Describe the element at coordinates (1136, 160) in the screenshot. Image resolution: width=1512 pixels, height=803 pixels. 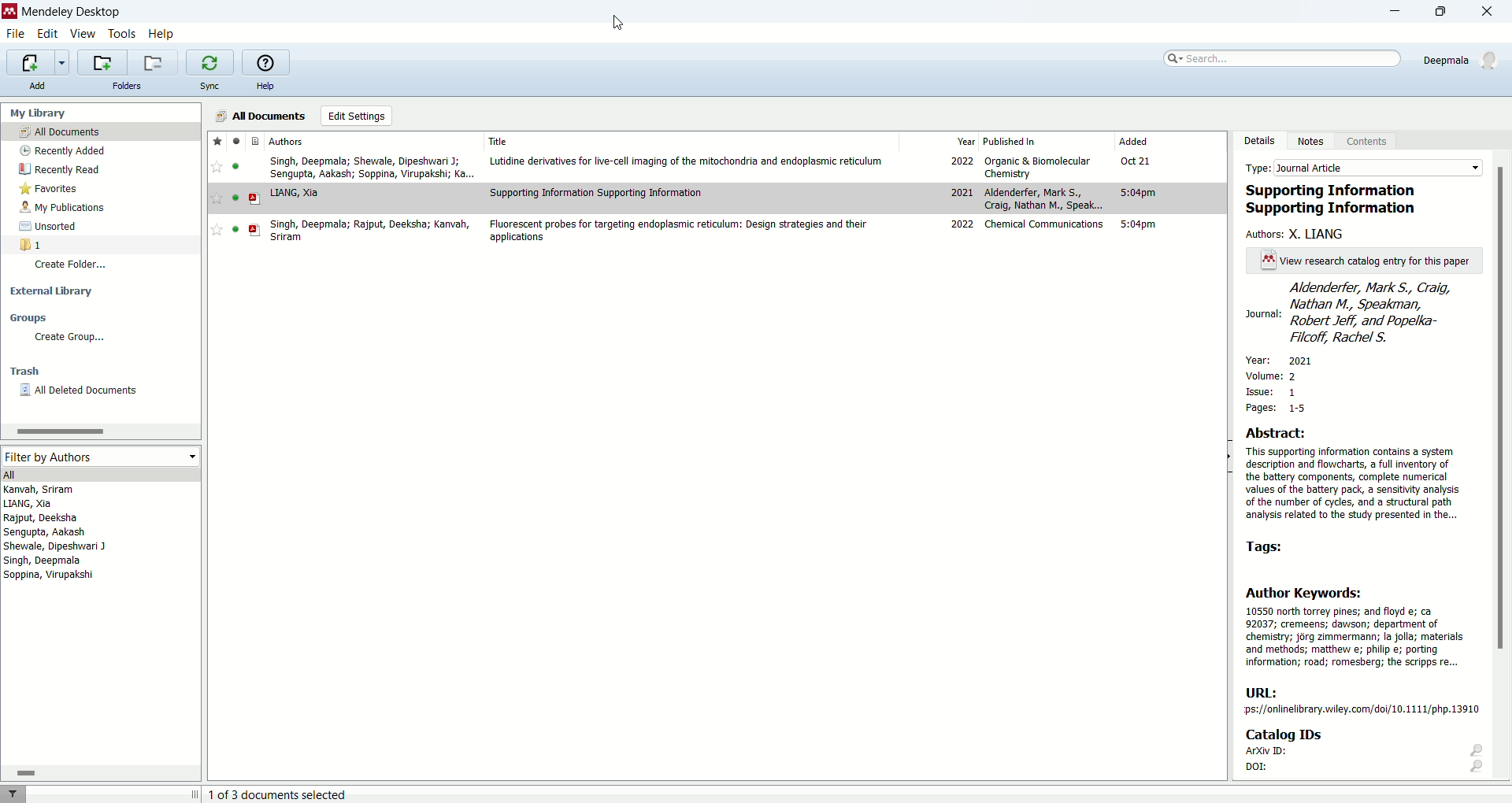
I see `Oct 21` at that location.